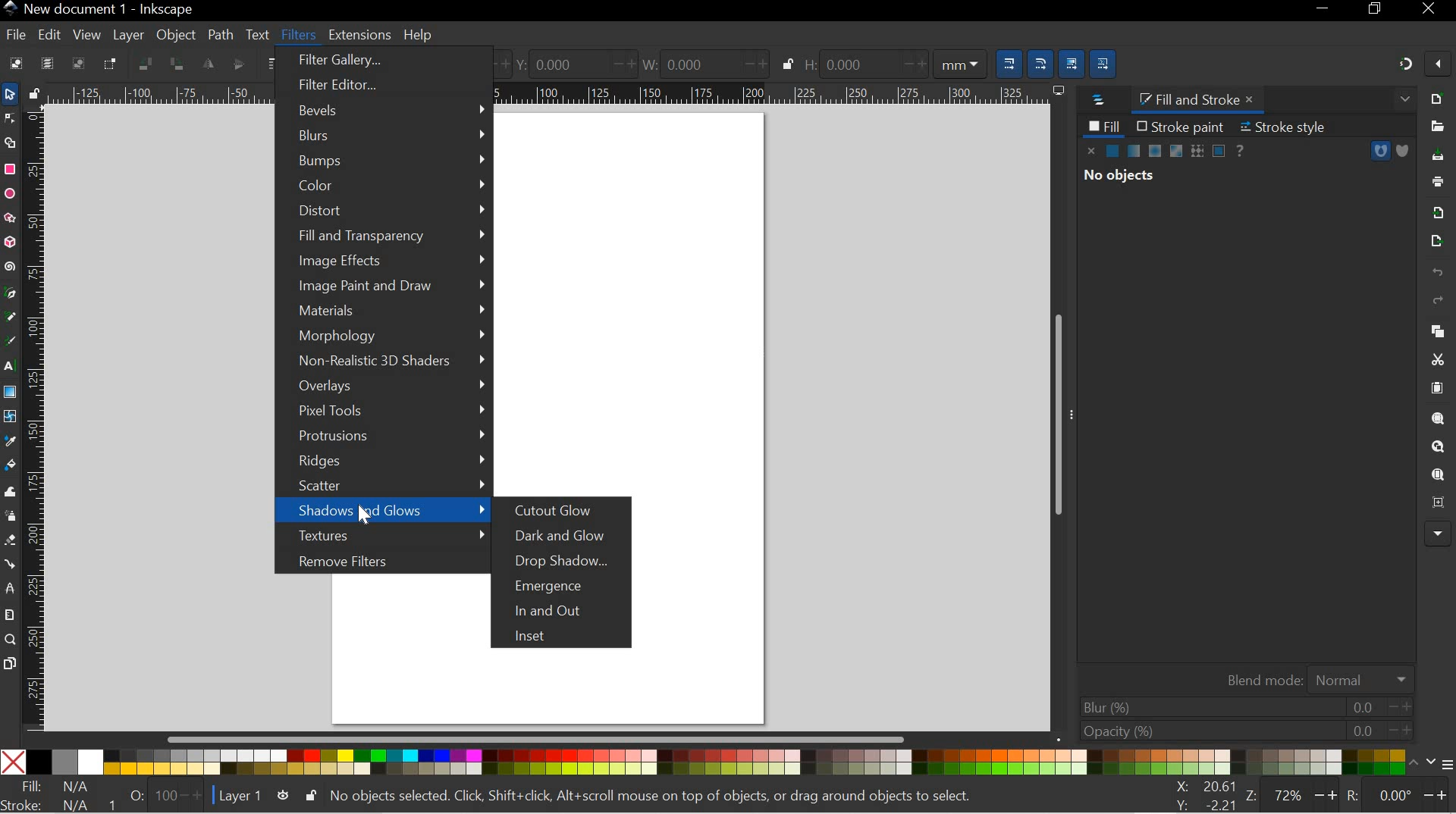 This screenshot has height=814, width=1456. What do you see at coordinates (1438, 211) in the screenshot?
I see `IMPORT` at bounding box center [1438, 211].